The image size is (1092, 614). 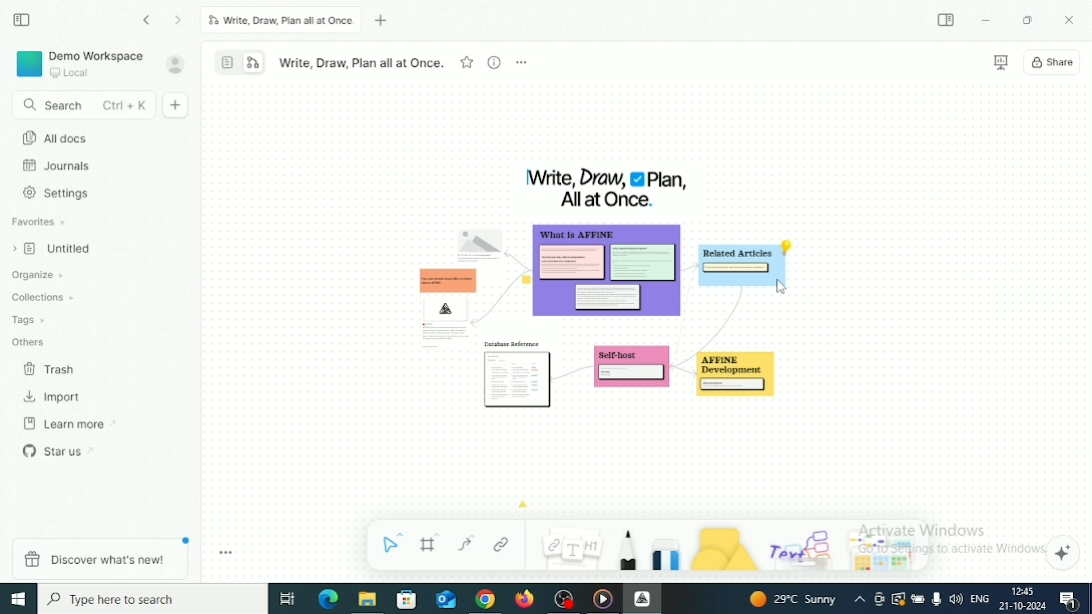 What do you see at coordinates (525, 600) in the screenshot?
I see `Firefox` at bounding box center [525, 600].